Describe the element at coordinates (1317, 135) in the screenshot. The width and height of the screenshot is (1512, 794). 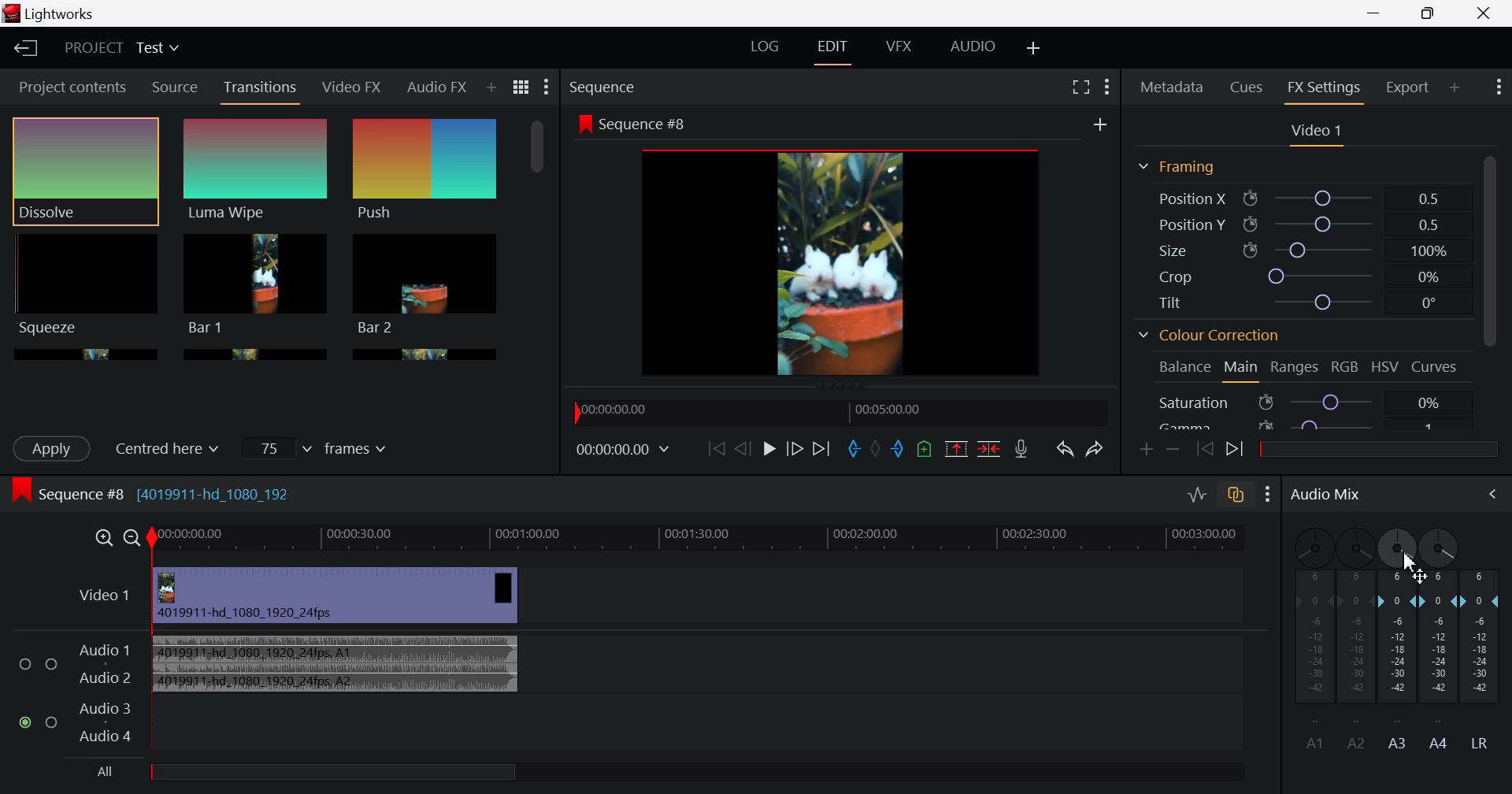
I see `Video Settings` at that location.